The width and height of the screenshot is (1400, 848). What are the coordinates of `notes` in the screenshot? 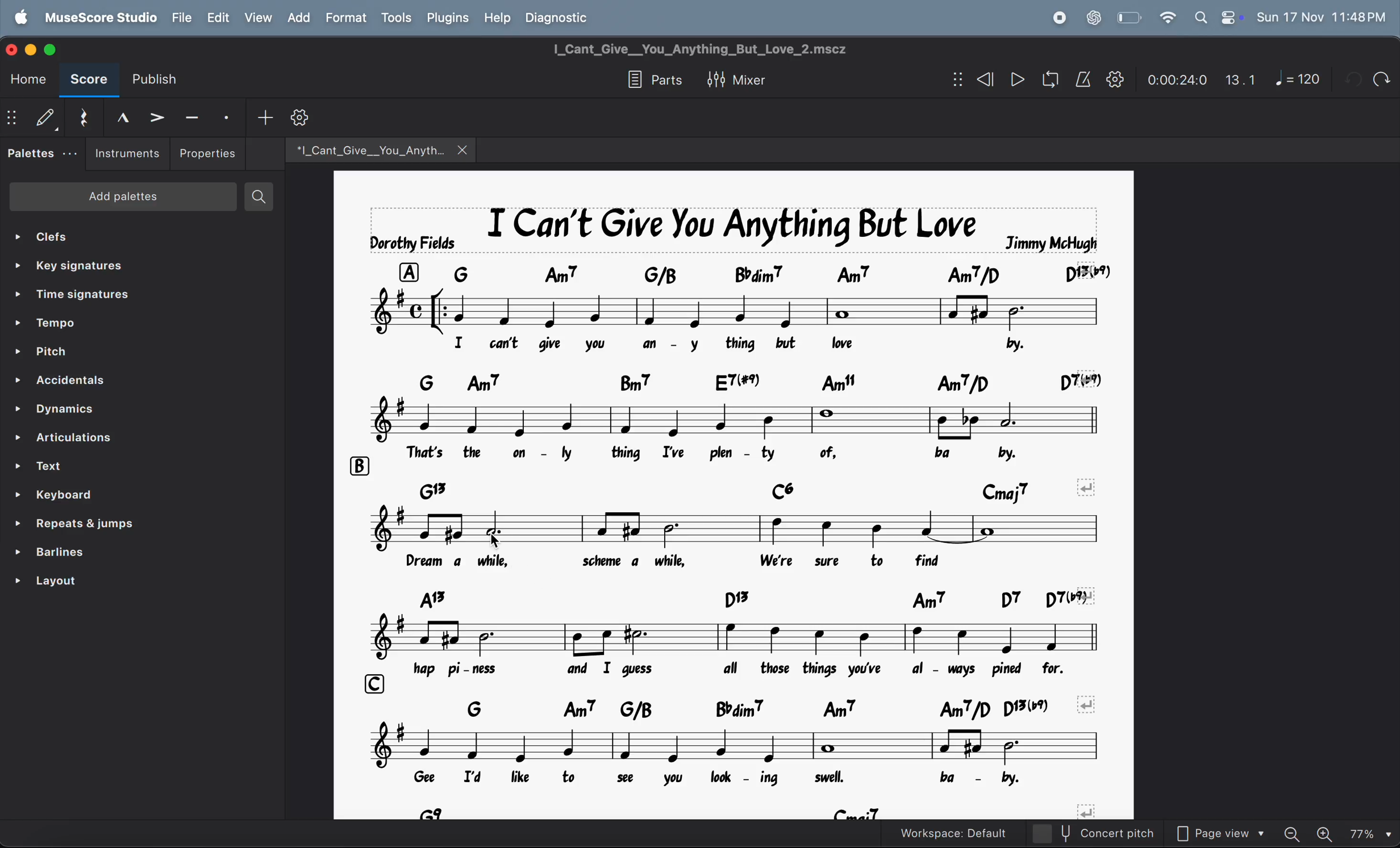 It's located at (735, 421).